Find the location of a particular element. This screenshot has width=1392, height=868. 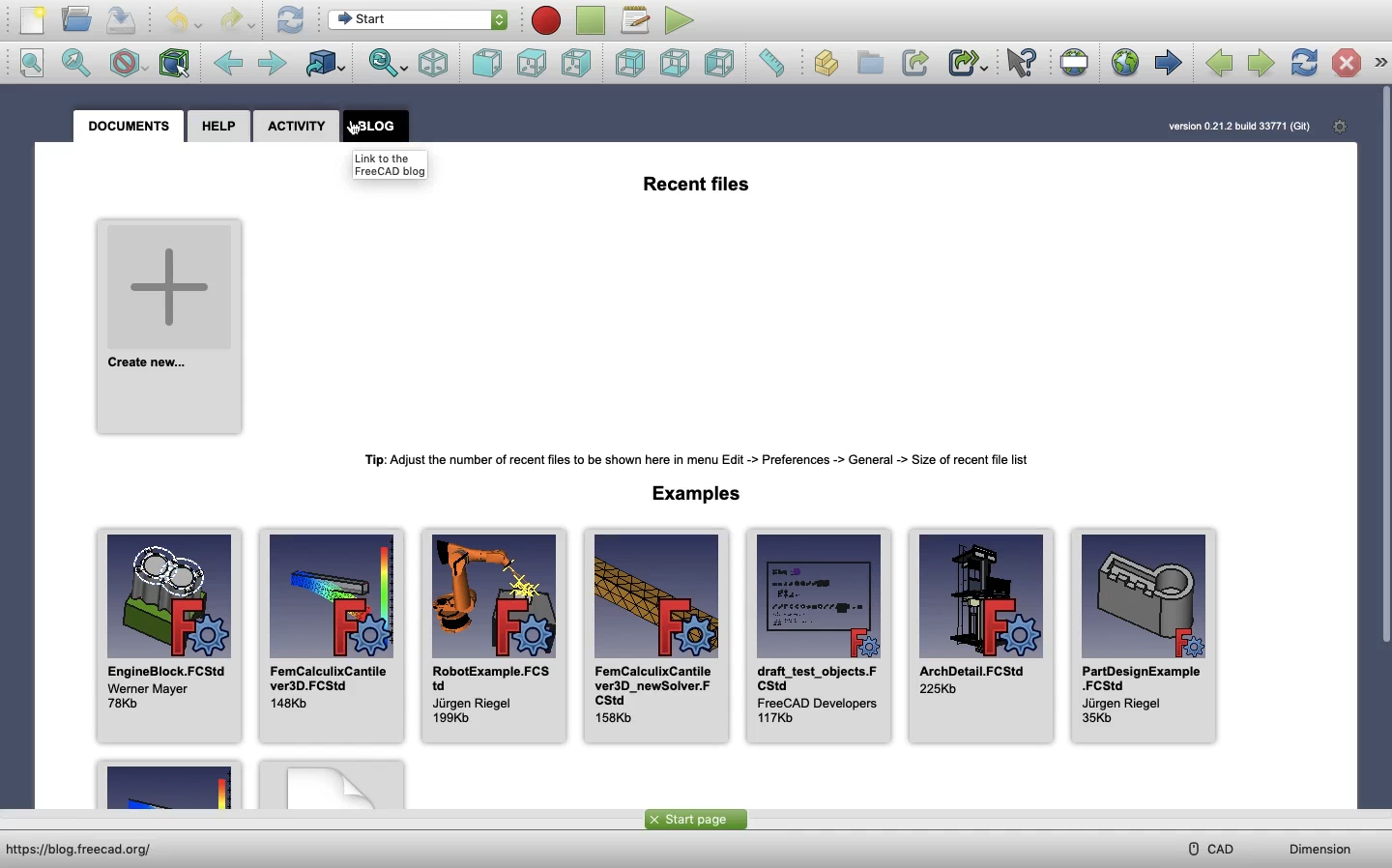

Show all is located at coordinates (1380, 61).